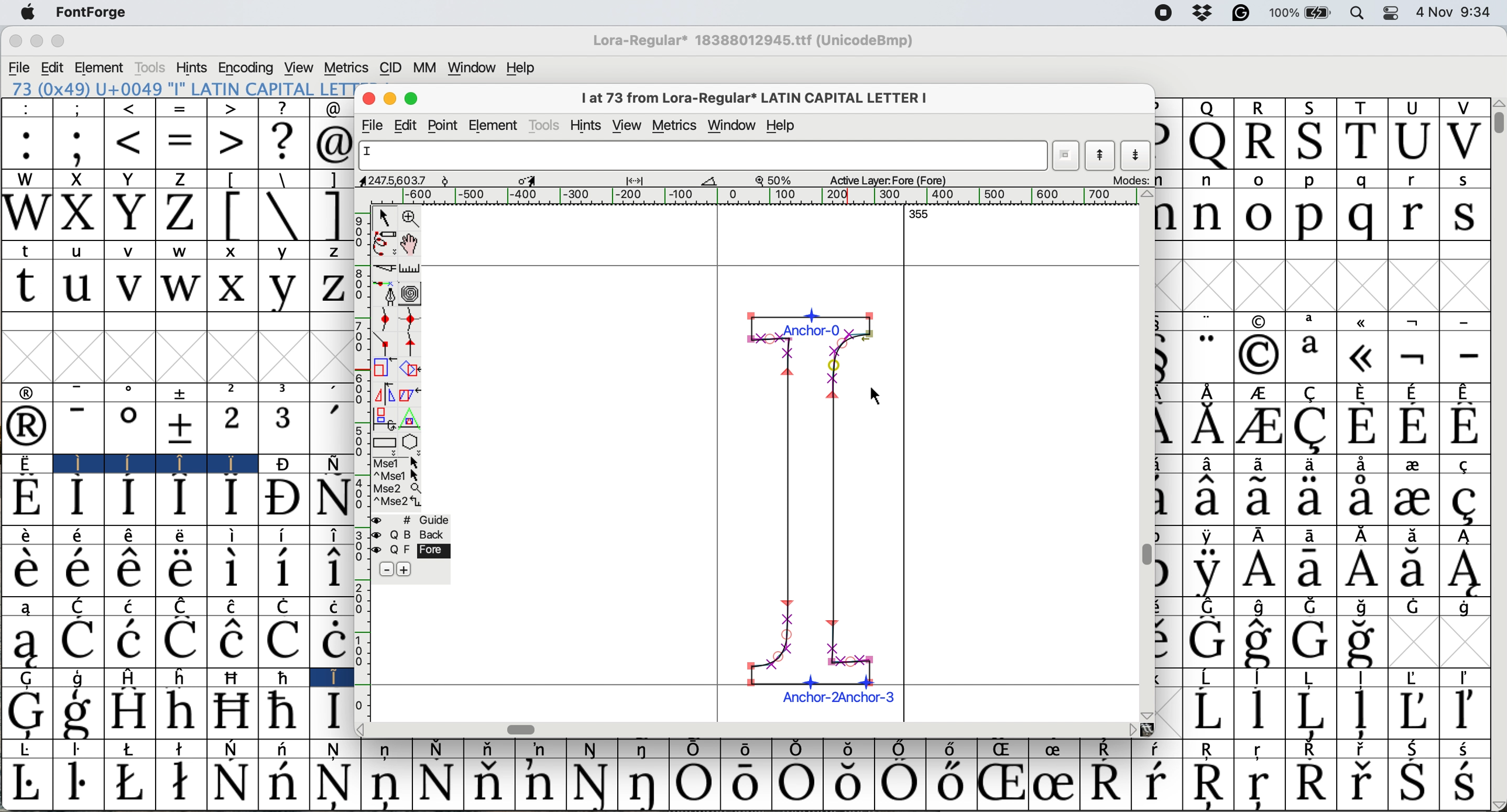 The height and width of the screenshot is (812, 1507). What do you see at coordinates (369, 99) in the screenshot?
I see `close` at bounding box center [369, 99].